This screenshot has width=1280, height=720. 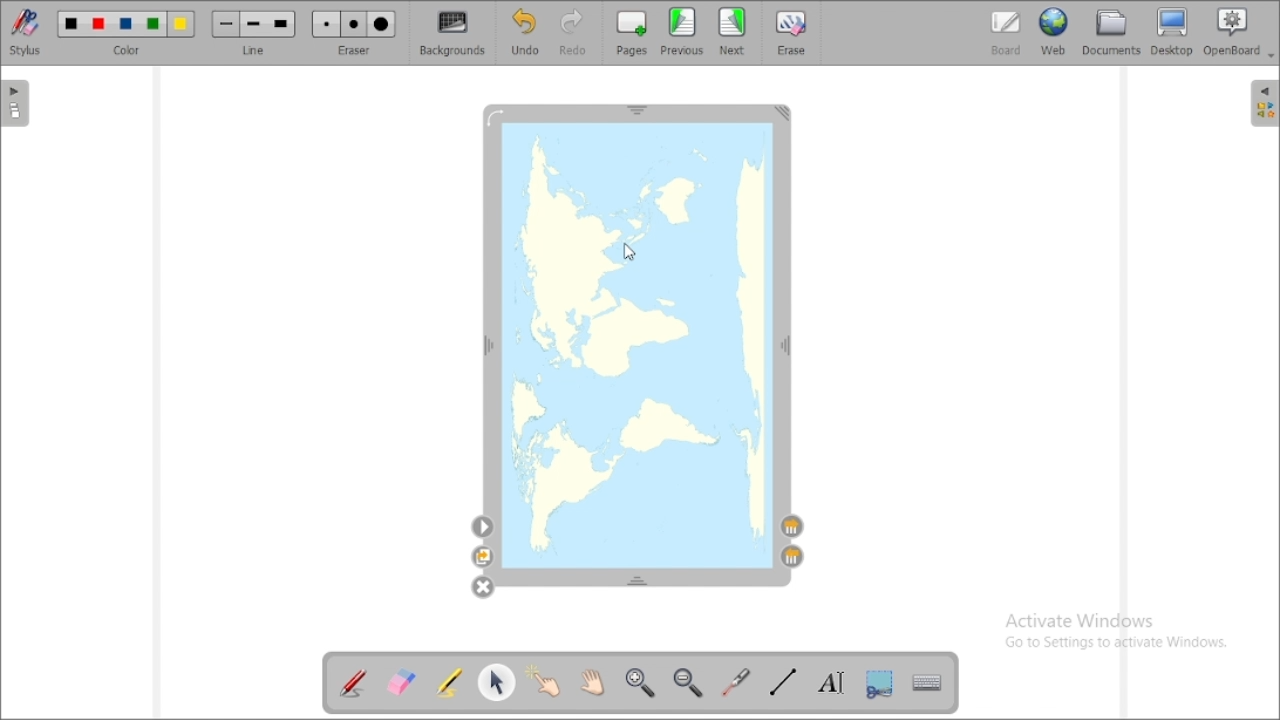 What do you see at coordinates (497, 117) in the screenshot?
I see `rotate` at bounding box center [497, 117].